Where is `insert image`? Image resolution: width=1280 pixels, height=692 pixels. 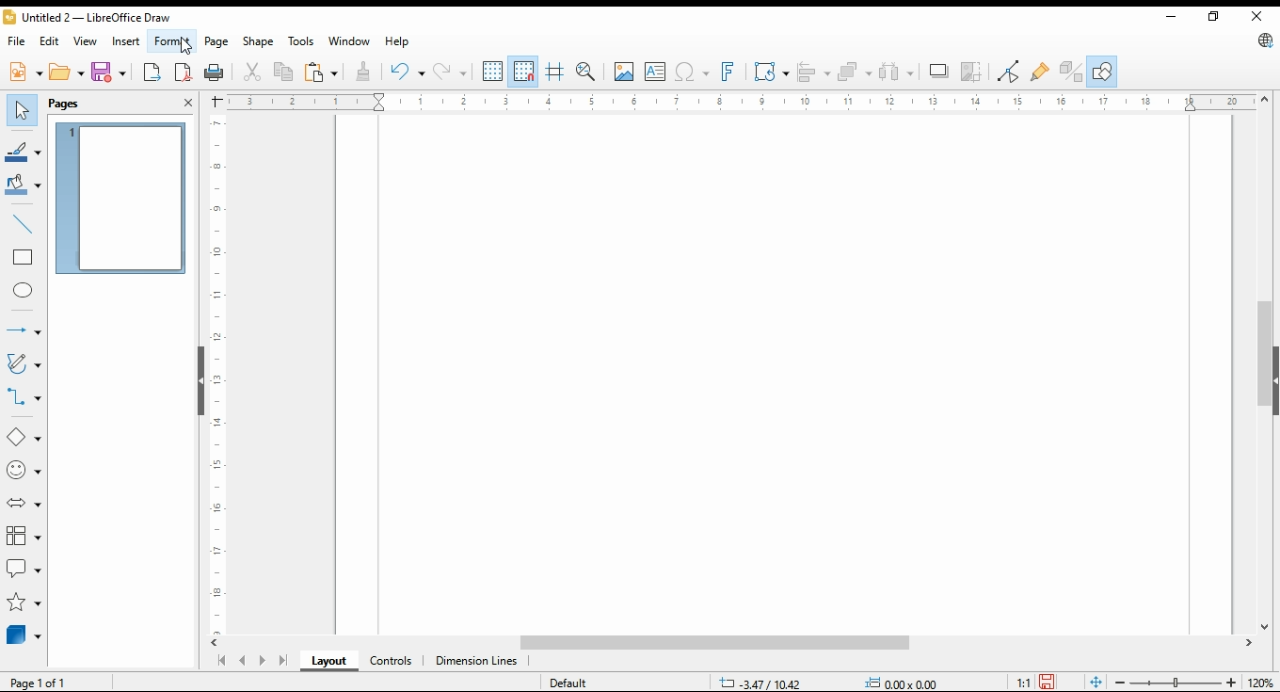
insert image is located at coordinates (623, 71).